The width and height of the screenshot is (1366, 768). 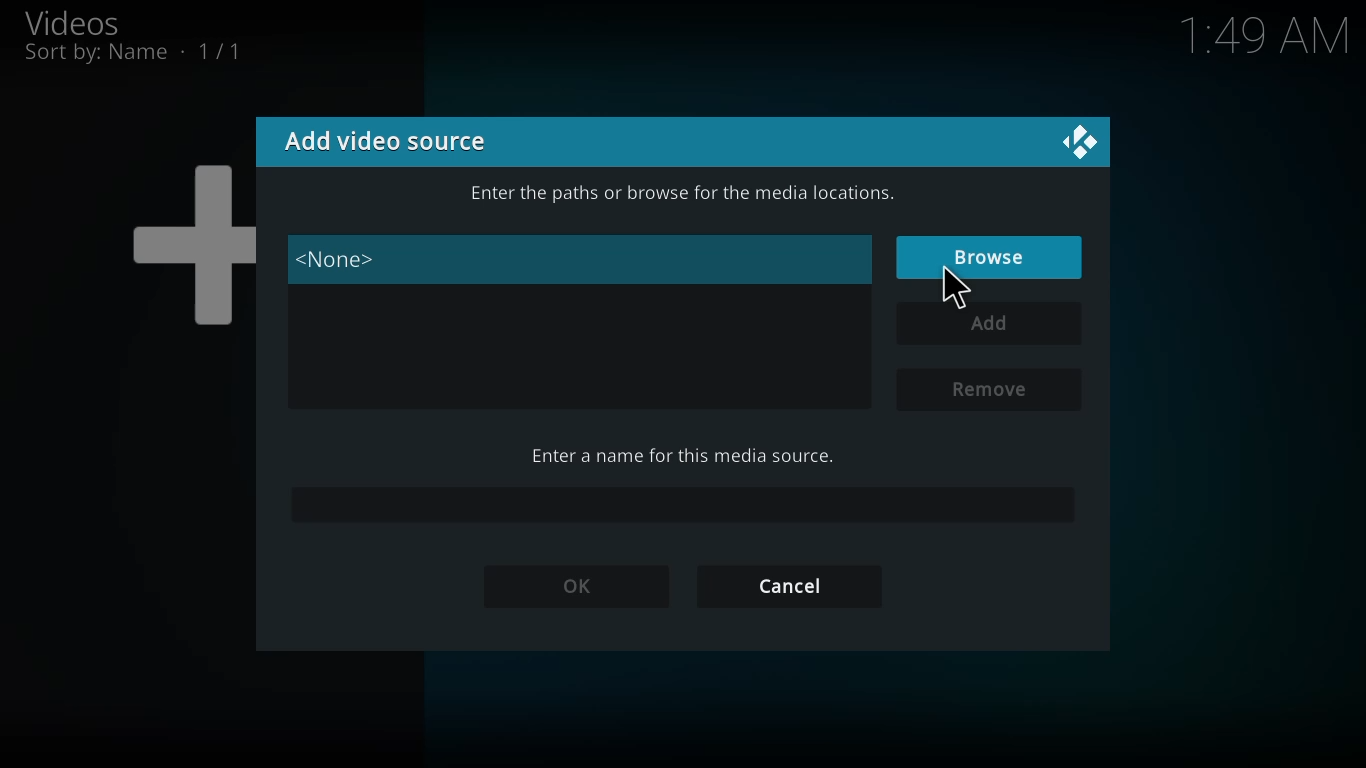 I want to click on cursor, so click(x=951, y=285).